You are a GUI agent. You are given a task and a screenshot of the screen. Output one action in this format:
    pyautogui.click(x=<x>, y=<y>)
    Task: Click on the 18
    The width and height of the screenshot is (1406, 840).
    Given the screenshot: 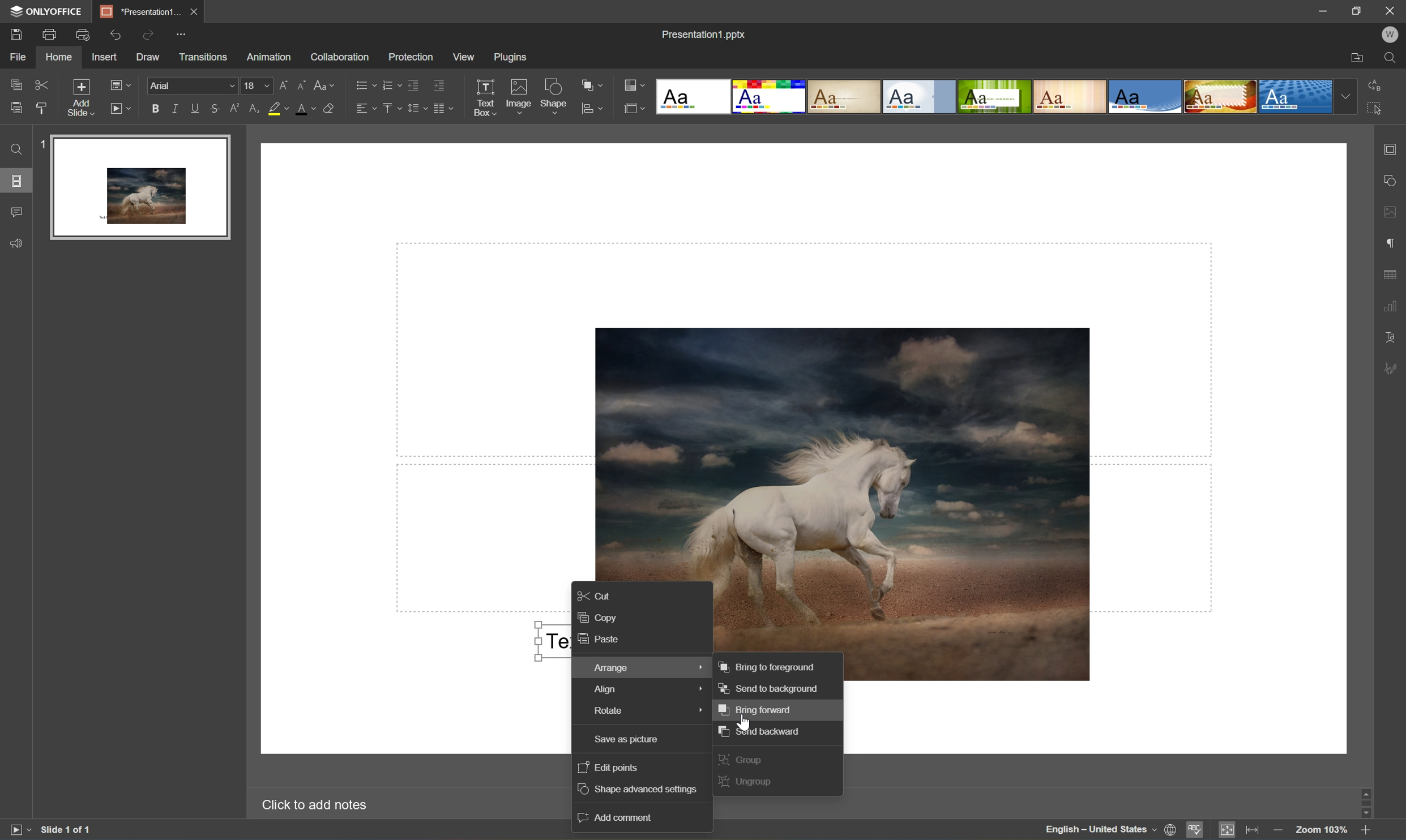 What is the action you would take?
    pyautogui.click(x=257, y=86)
    